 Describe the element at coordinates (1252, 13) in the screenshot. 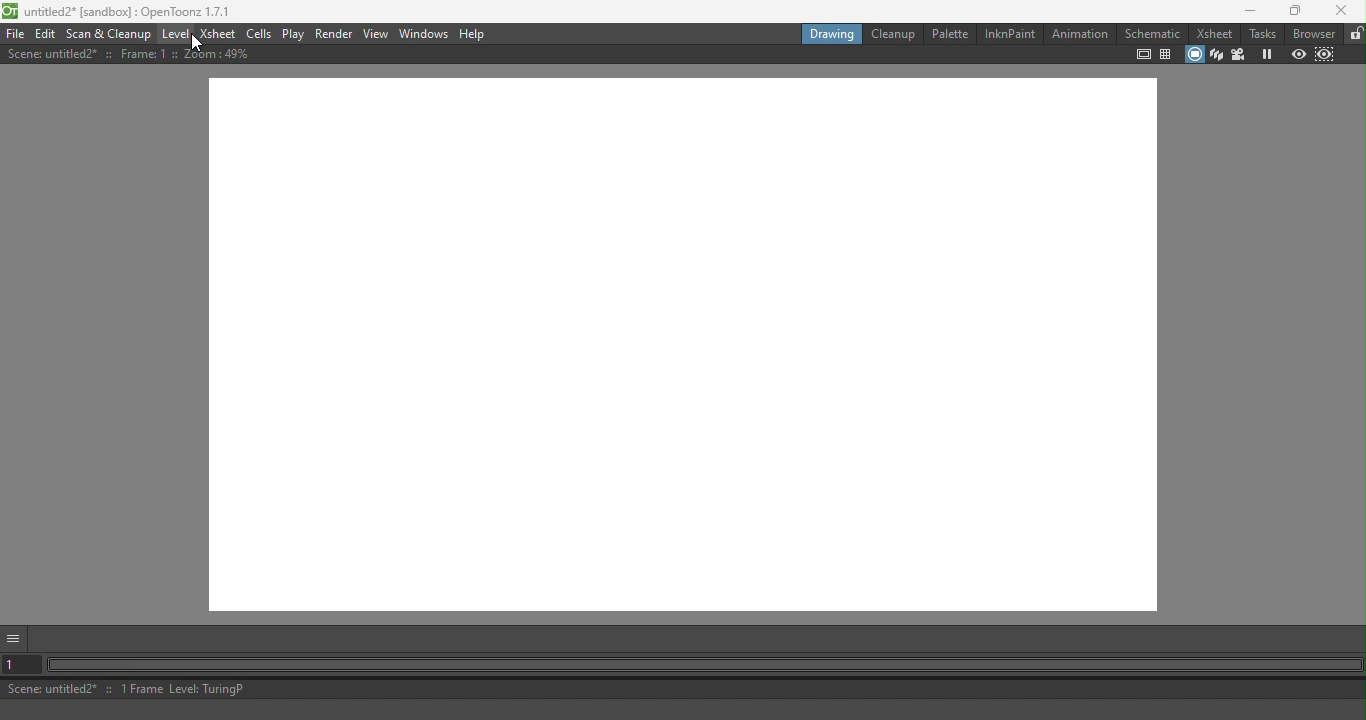

I see `Minimize` at that location.